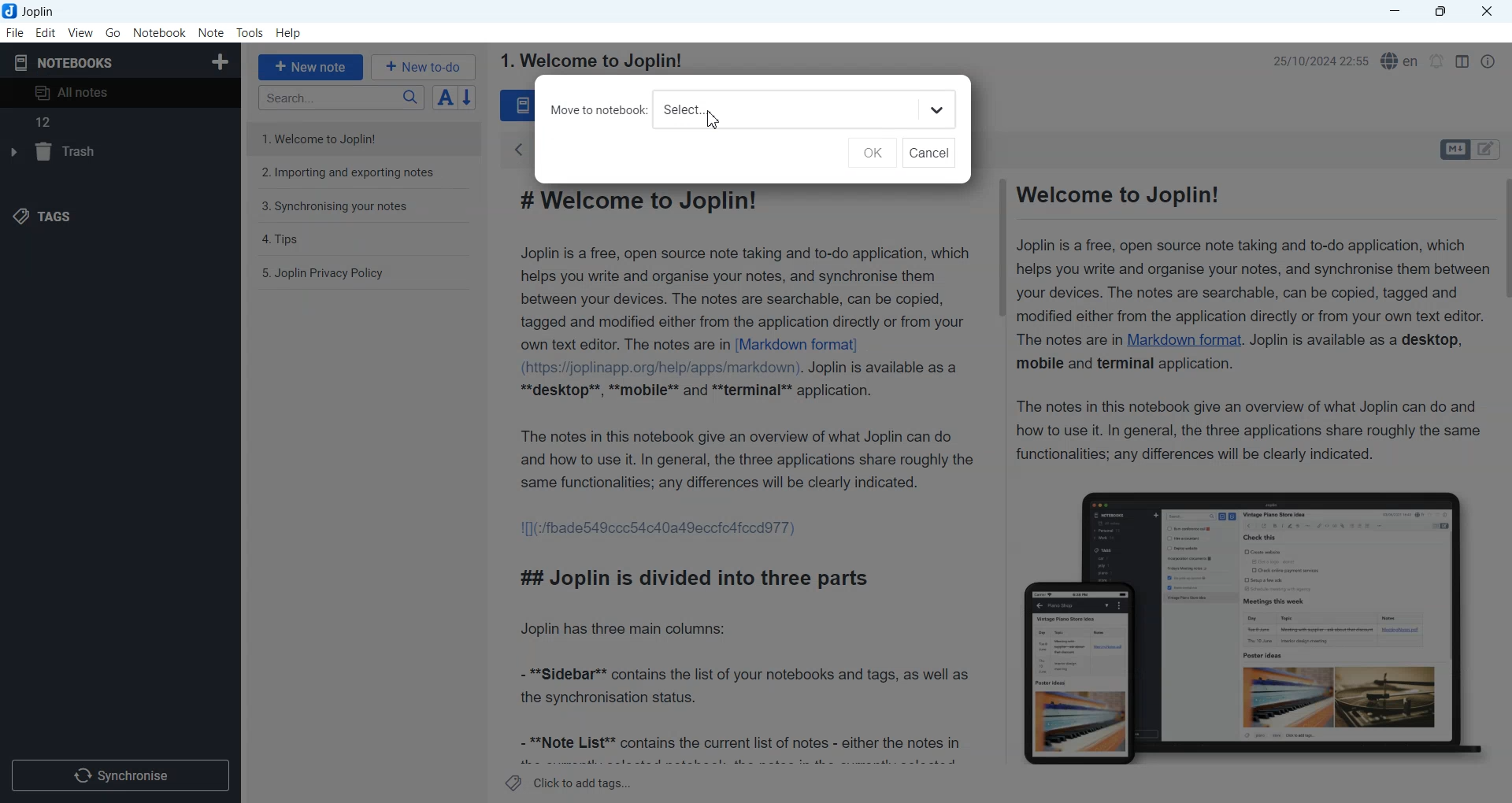 Image resolution: width=1512 pixels, height=803 pixels. I want to click on Cancel, so click(929, 153).